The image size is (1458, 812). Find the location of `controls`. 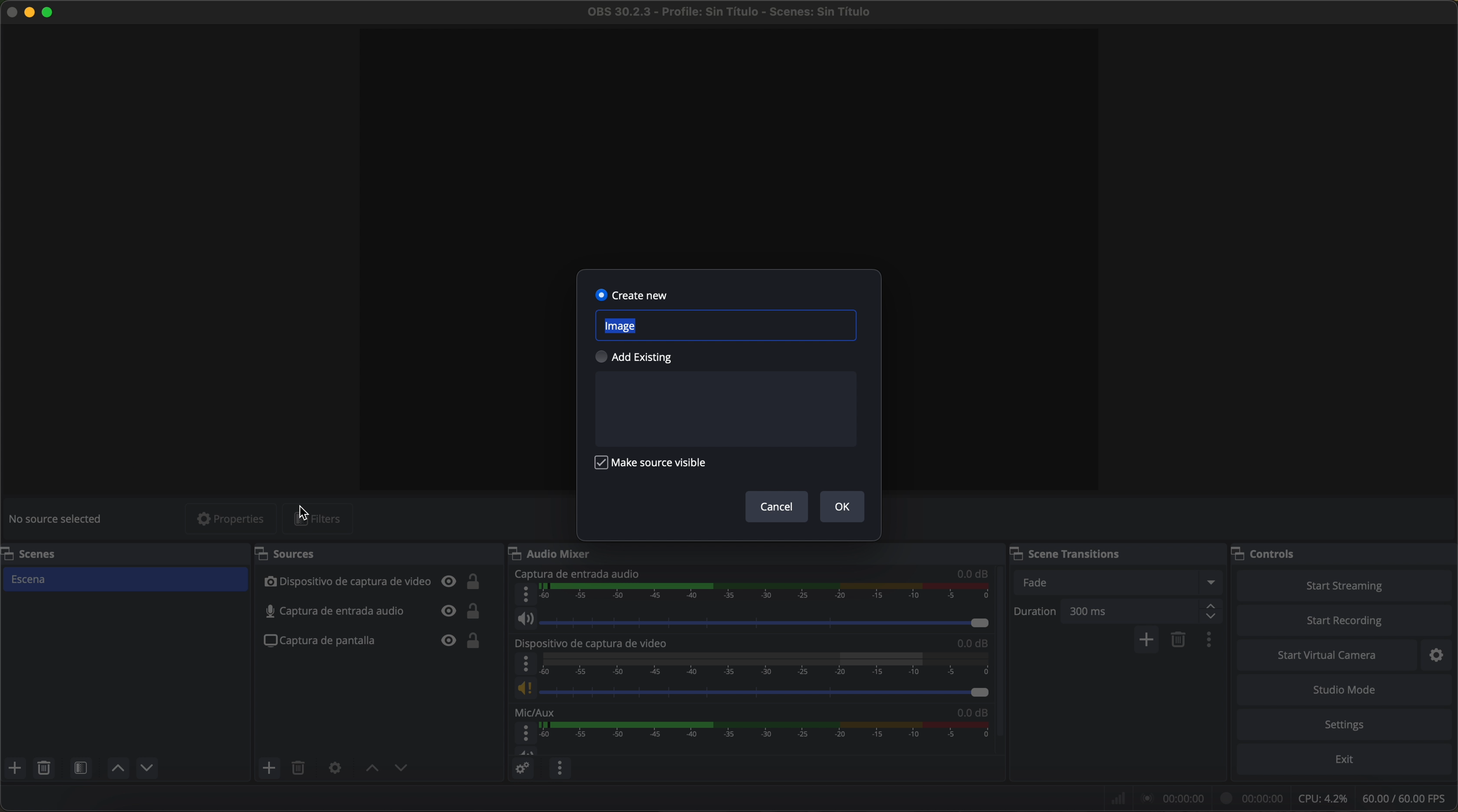

controls is located at coordinates (1274, 551).